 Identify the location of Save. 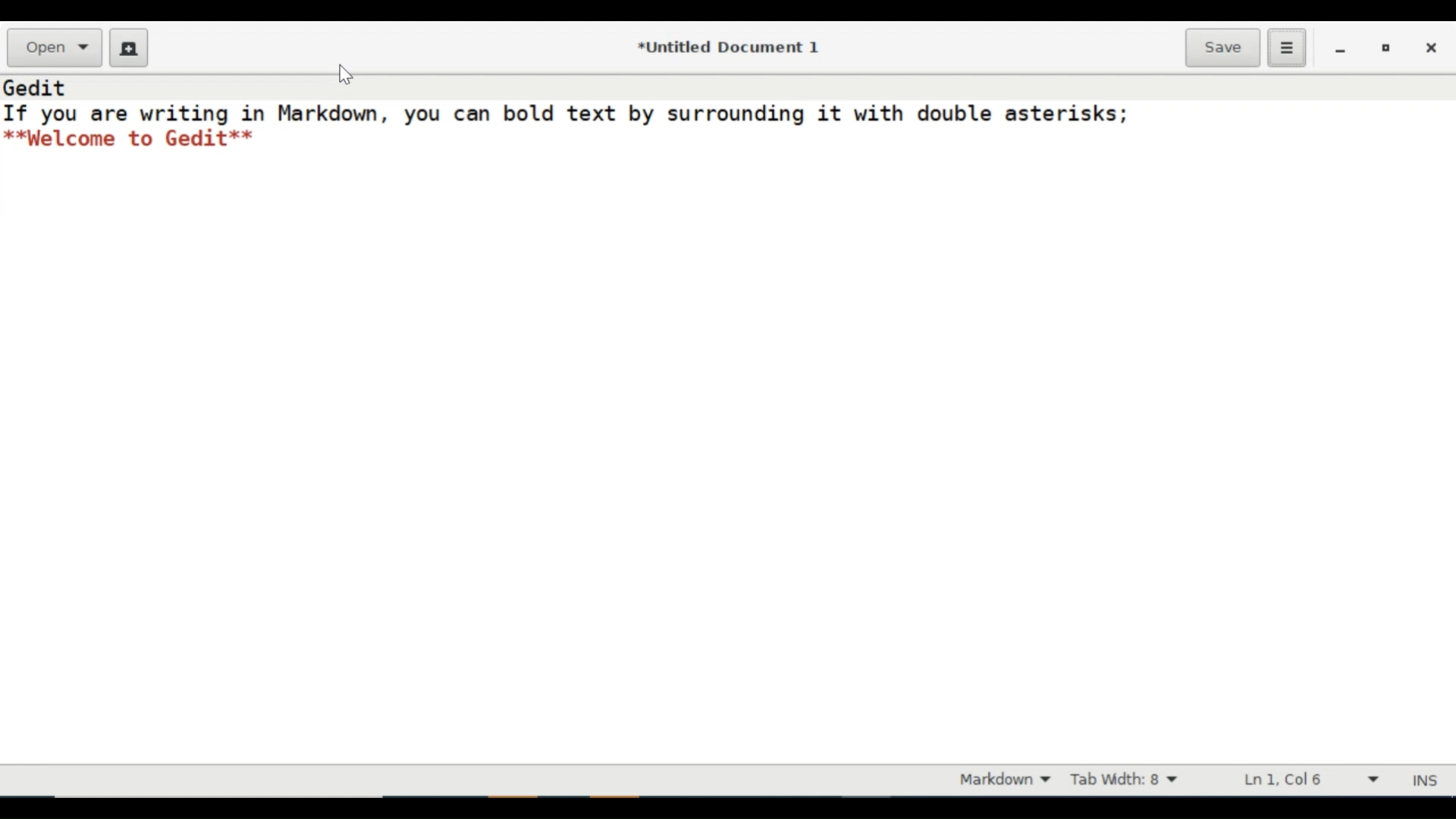
(1221, 47).